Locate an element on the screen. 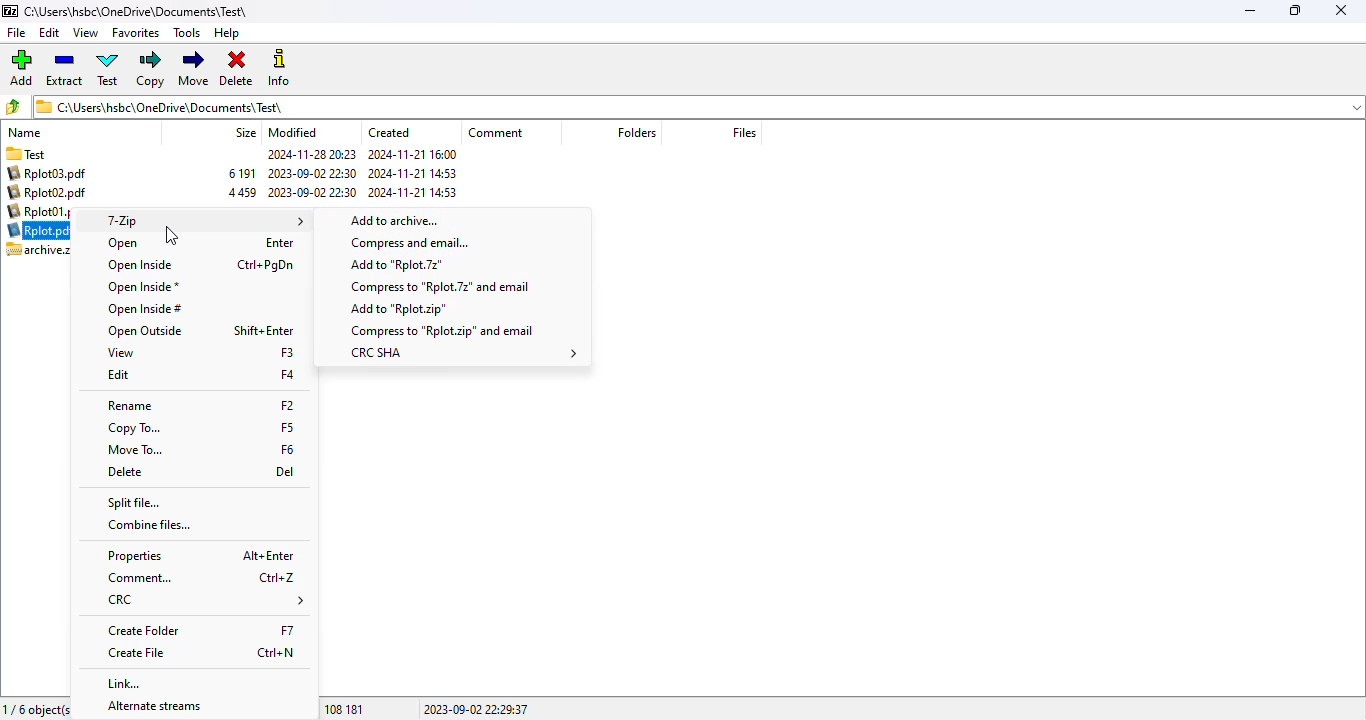 The height and width of the screenshot is (720, 1366). favorites is located at coordinates (137, 33).